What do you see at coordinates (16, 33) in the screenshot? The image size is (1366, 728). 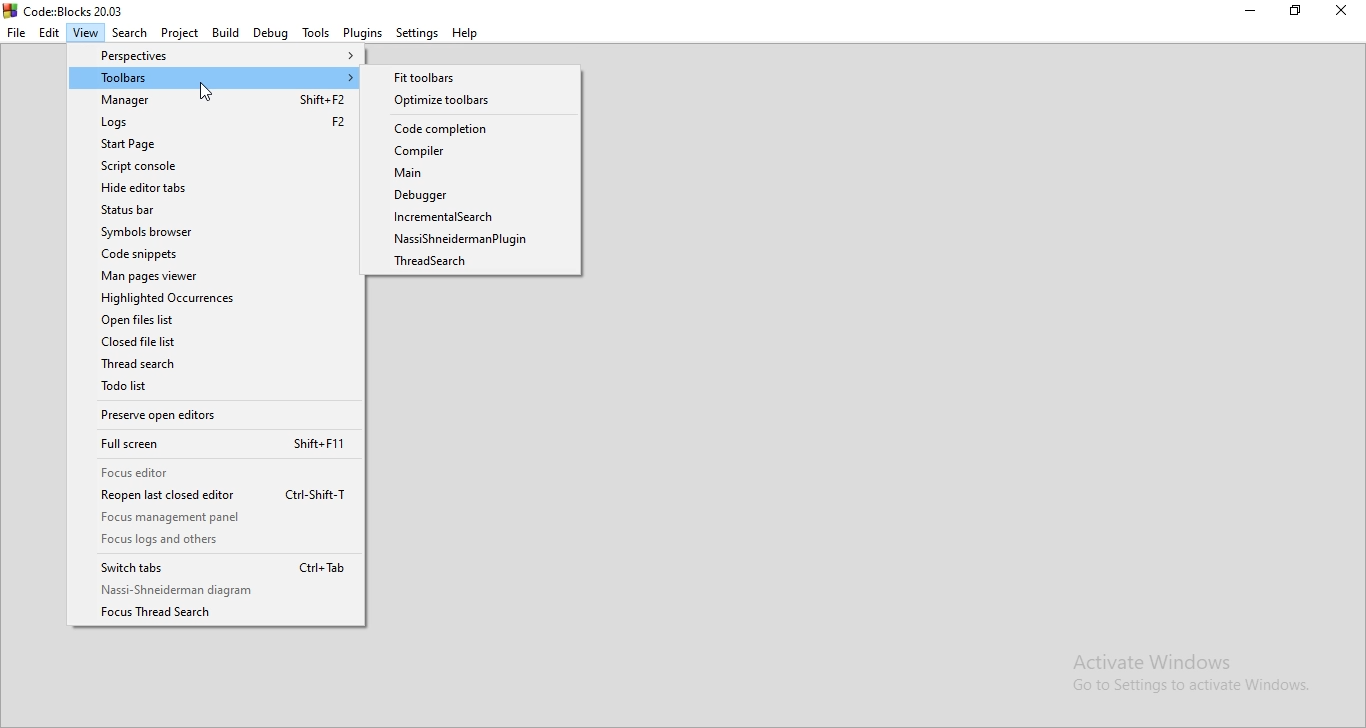 I see `File` at bounding box center [16, 33].